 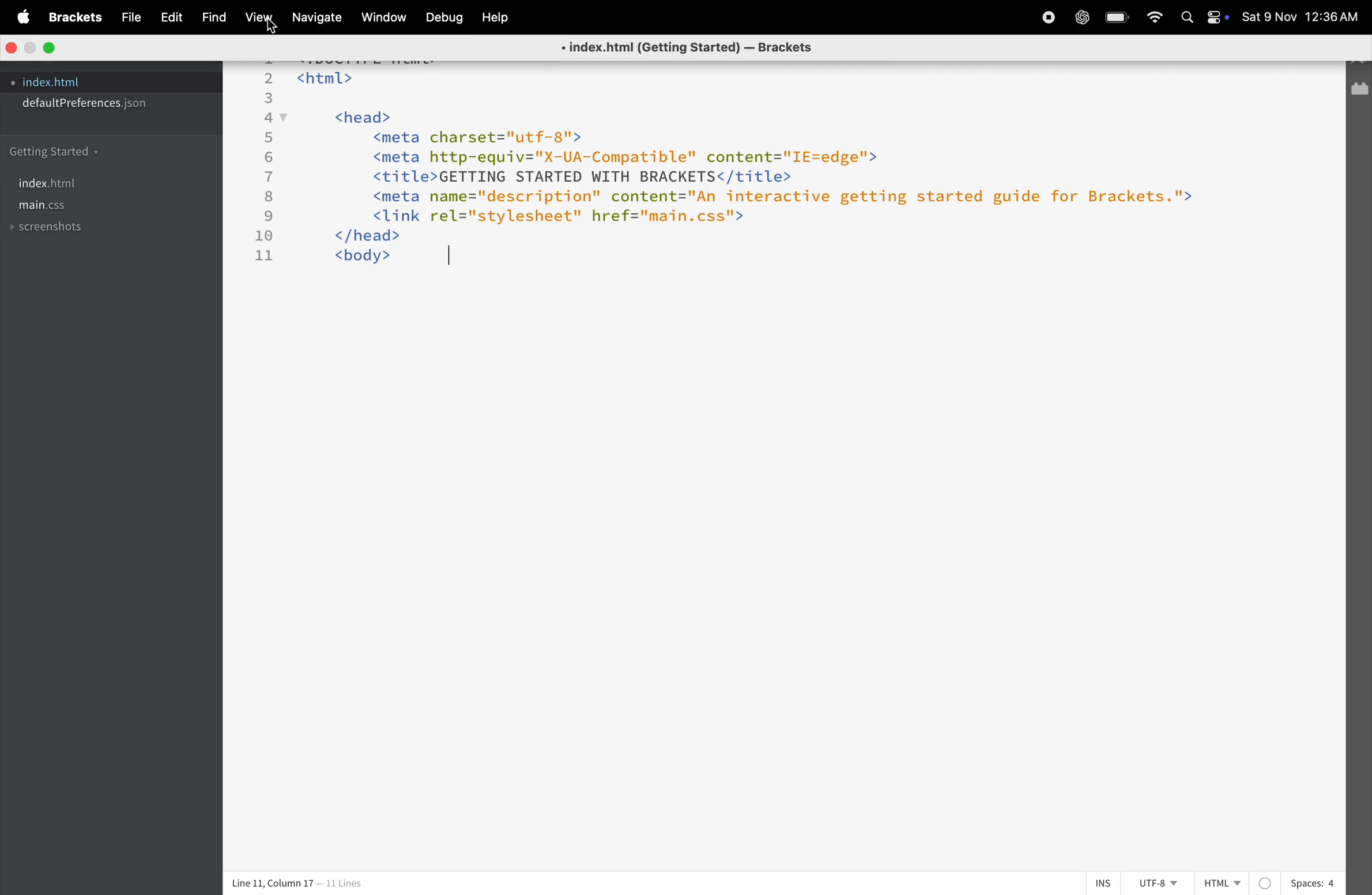 What do you see at coordinates (213, 18) in the screenshot?
I see `find` at bounding box center [213, 18].